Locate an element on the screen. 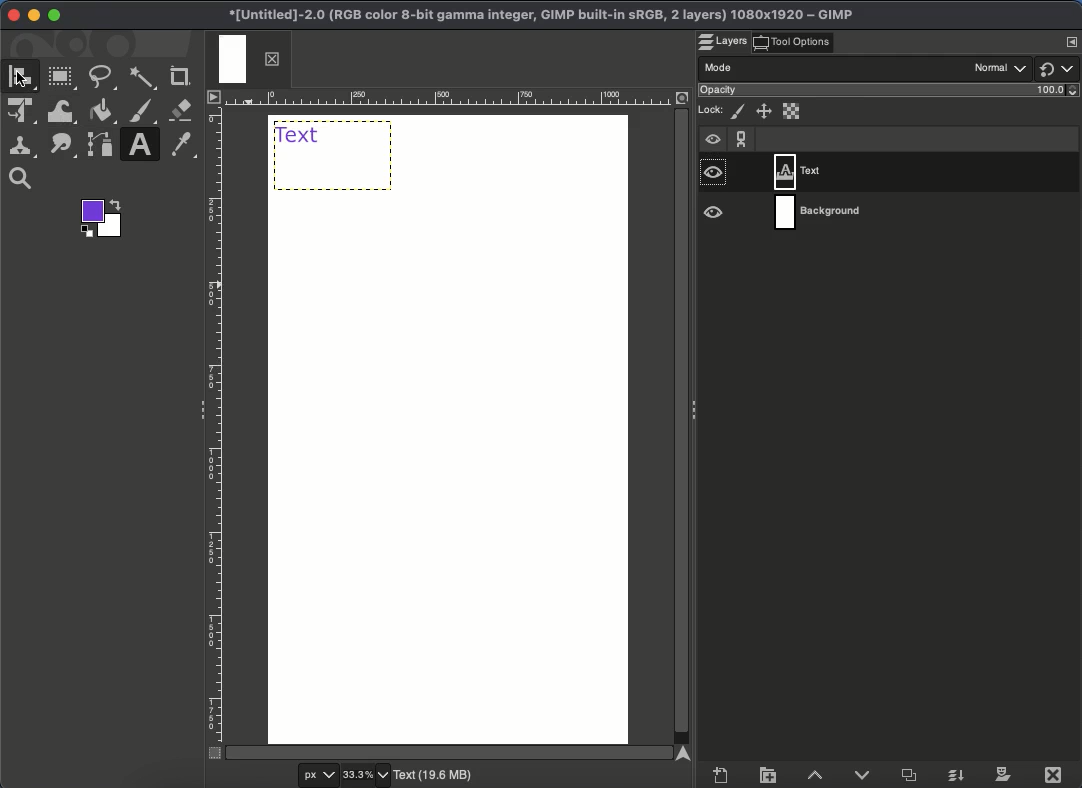  Layer 2 is located at coordinates (927, 212).